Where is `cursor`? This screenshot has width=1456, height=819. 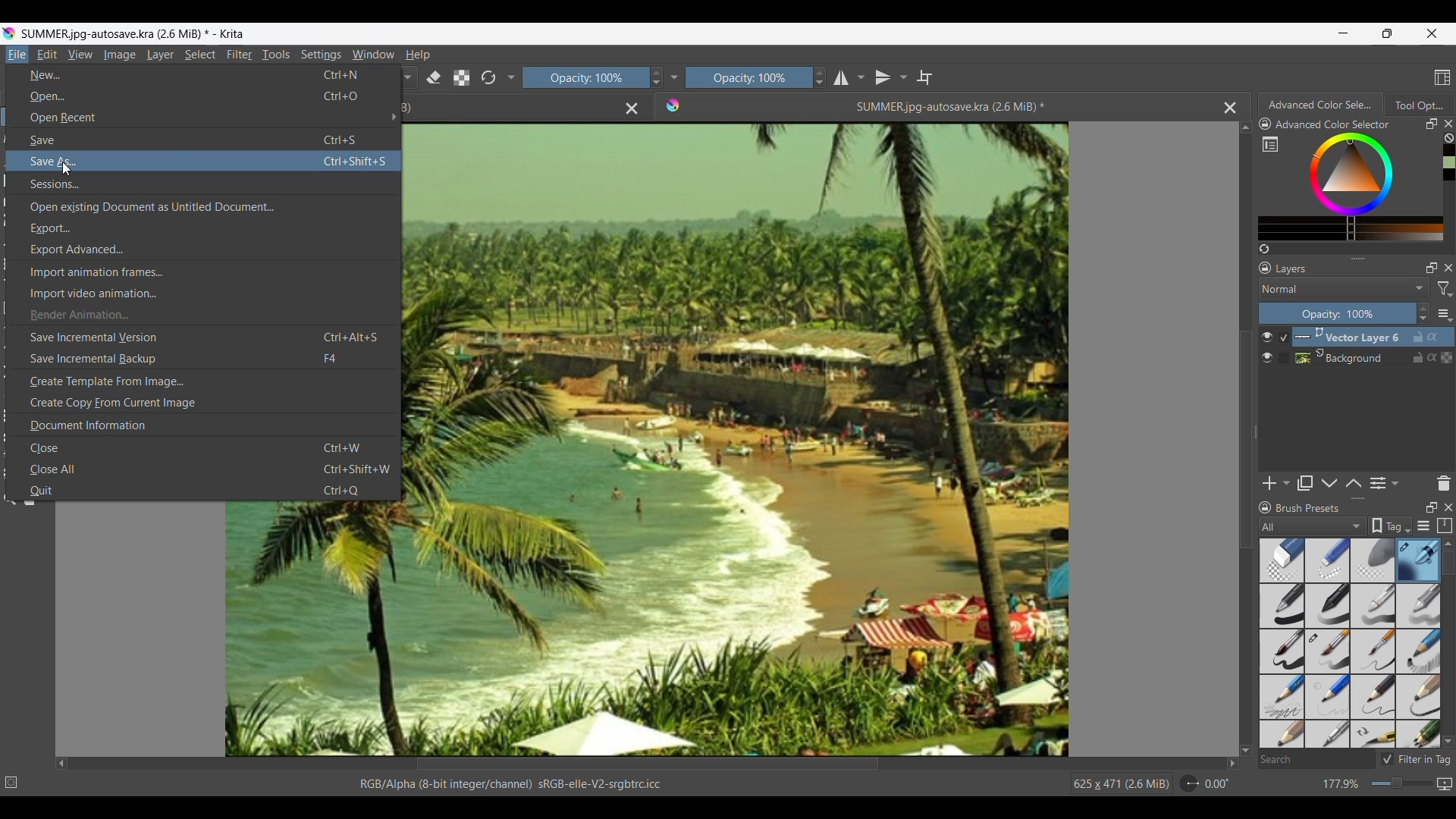
cursor is located at coordinates (64, 166).